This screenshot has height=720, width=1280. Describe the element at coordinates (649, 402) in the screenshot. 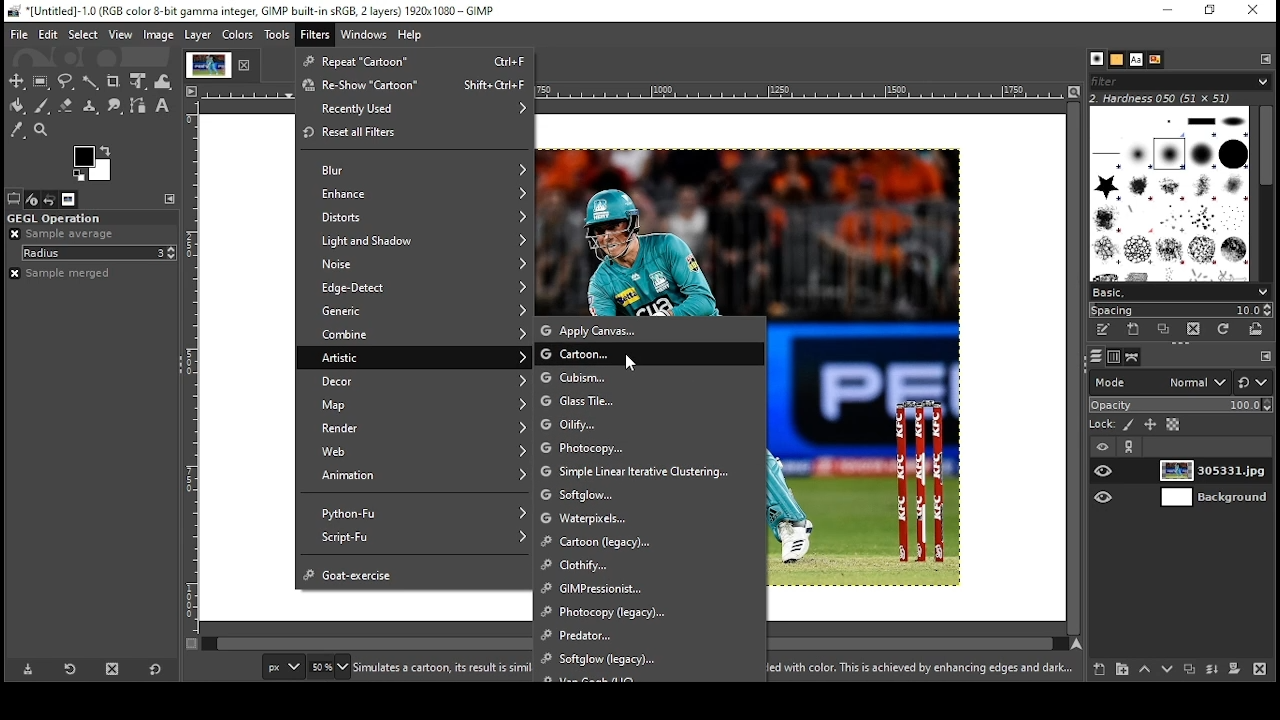

I see `glass tile` at that location.